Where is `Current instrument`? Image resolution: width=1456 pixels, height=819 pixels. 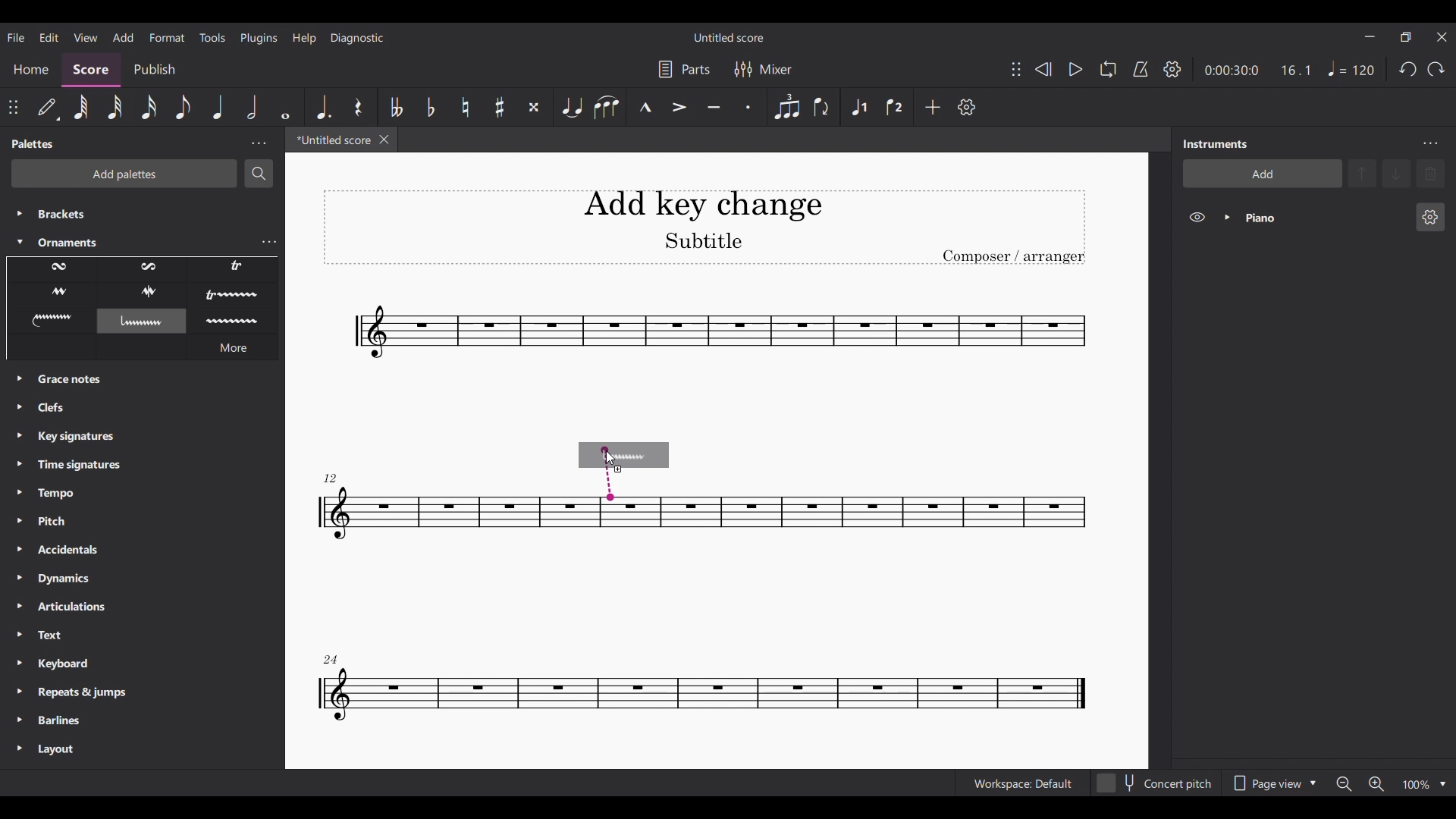
Current instrument is located at coordinates (1324, 217).